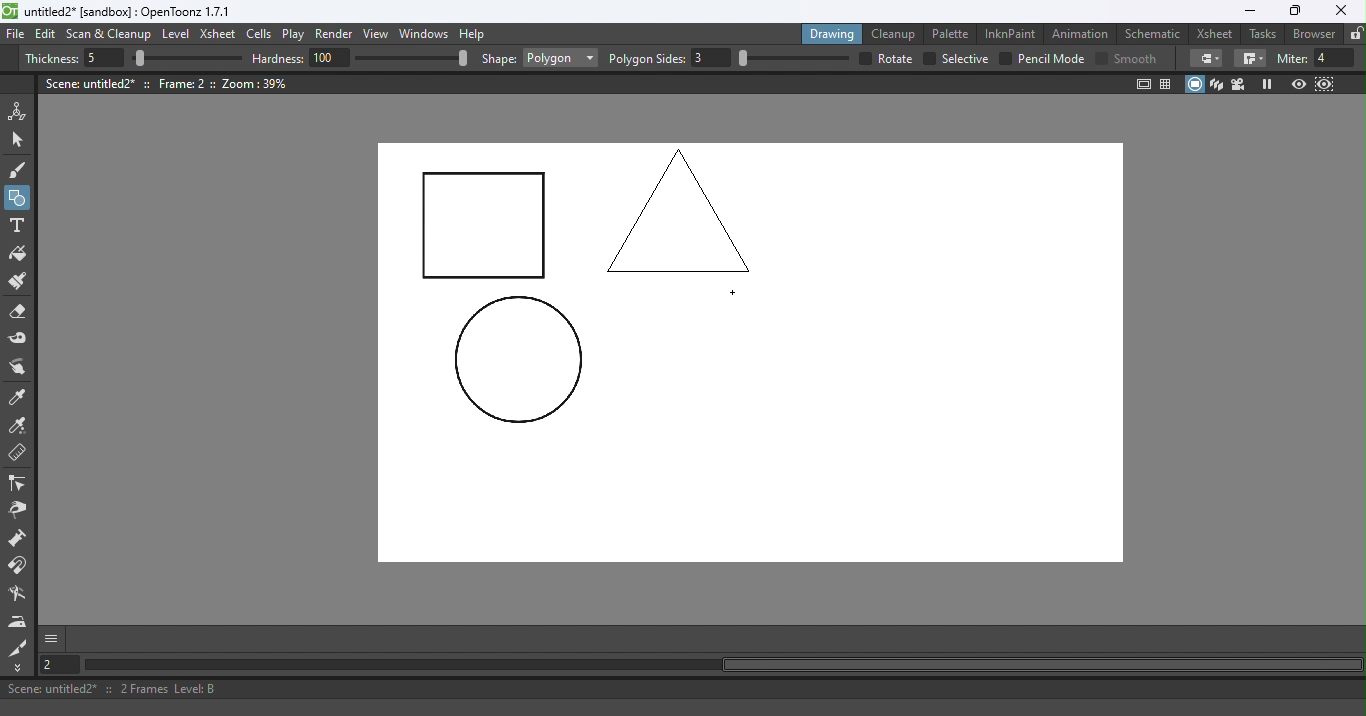  I want to click on More Tools, so click(19, 668).